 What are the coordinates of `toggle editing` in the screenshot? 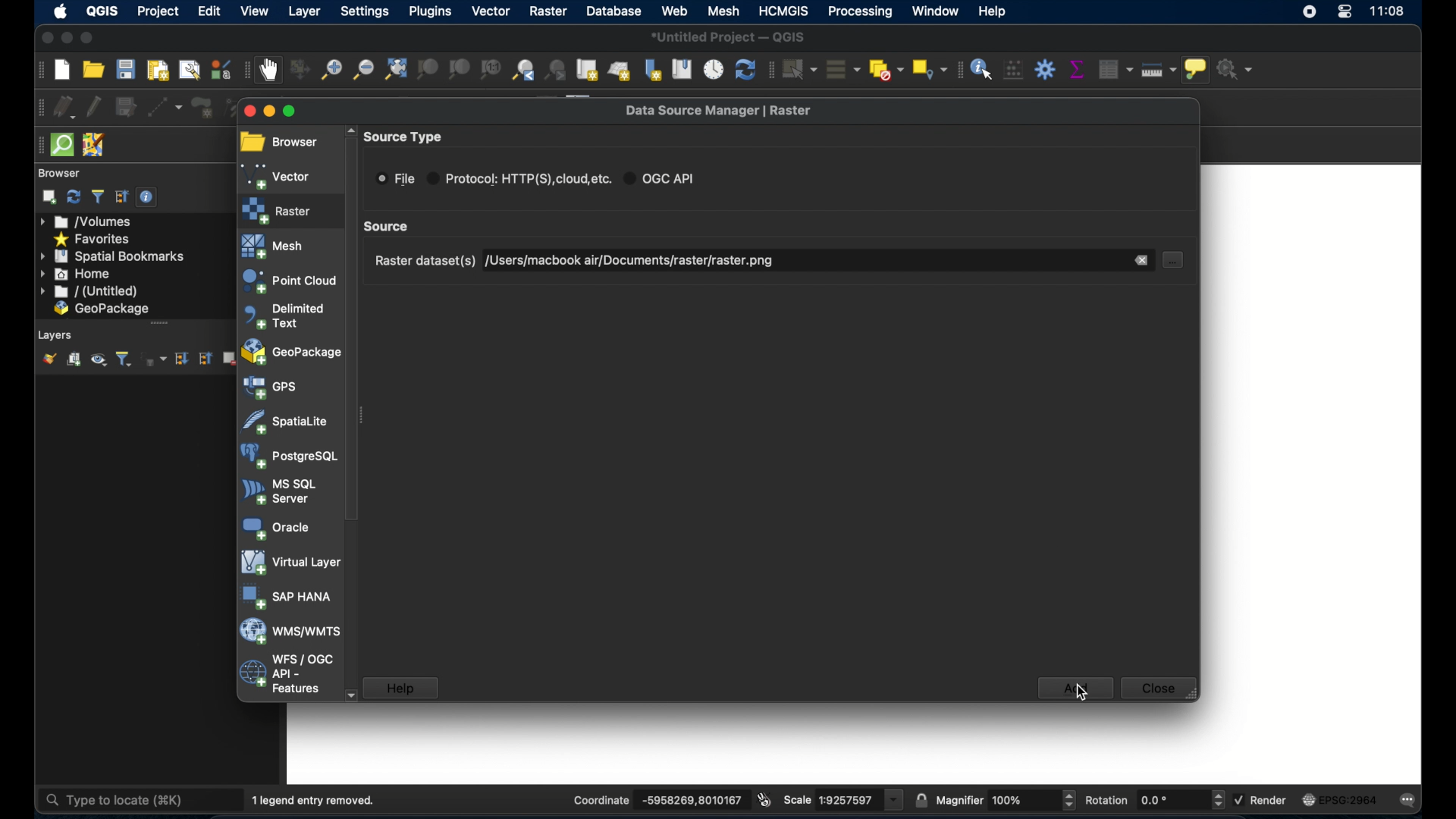 It's located at (95, 105).